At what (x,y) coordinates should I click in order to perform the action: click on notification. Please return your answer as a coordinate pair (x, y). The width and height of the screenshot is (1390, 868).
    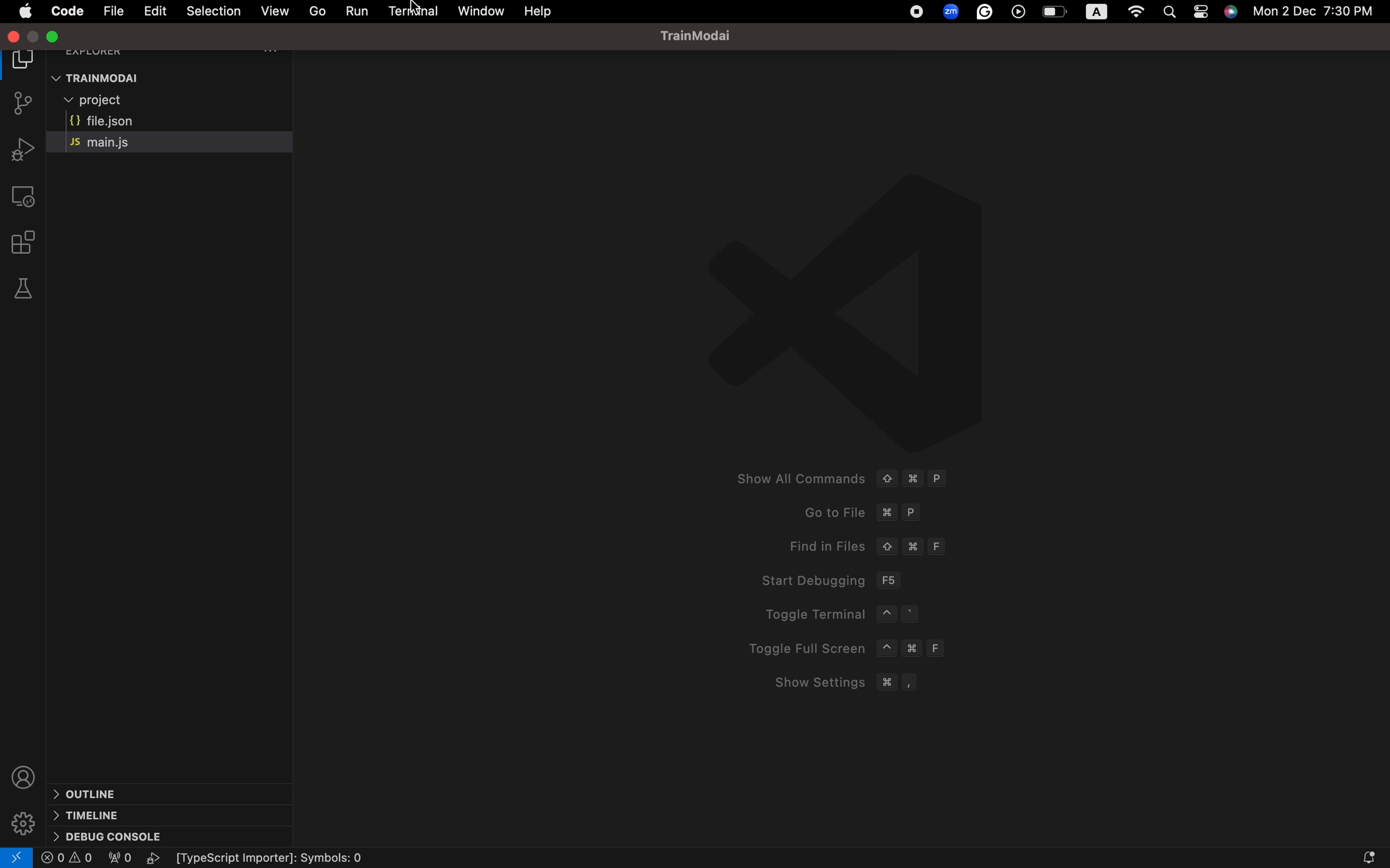
    Looking at the image, I should click on (1353, 855).